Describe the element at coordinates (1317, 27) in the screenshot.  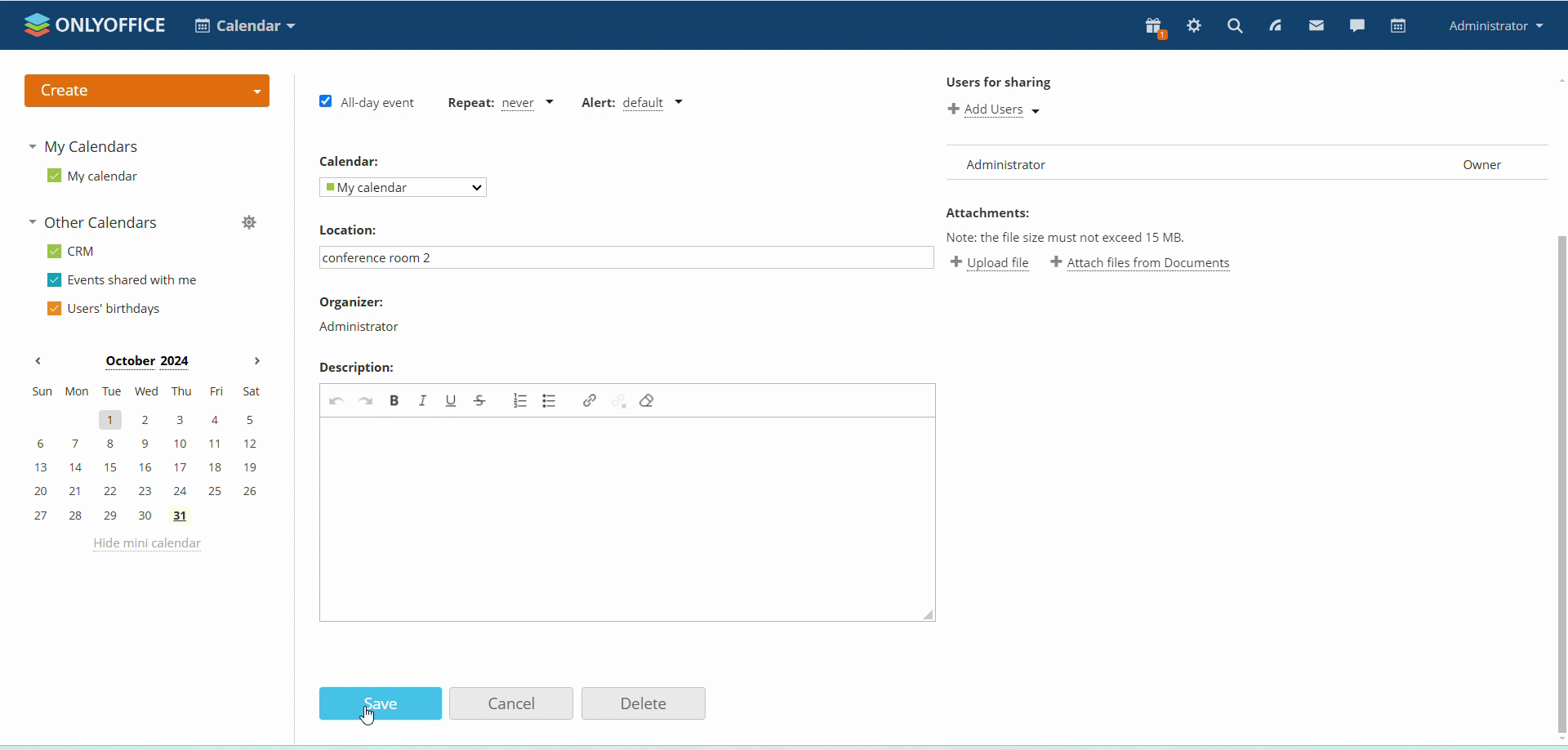
I see `mail` at that location.